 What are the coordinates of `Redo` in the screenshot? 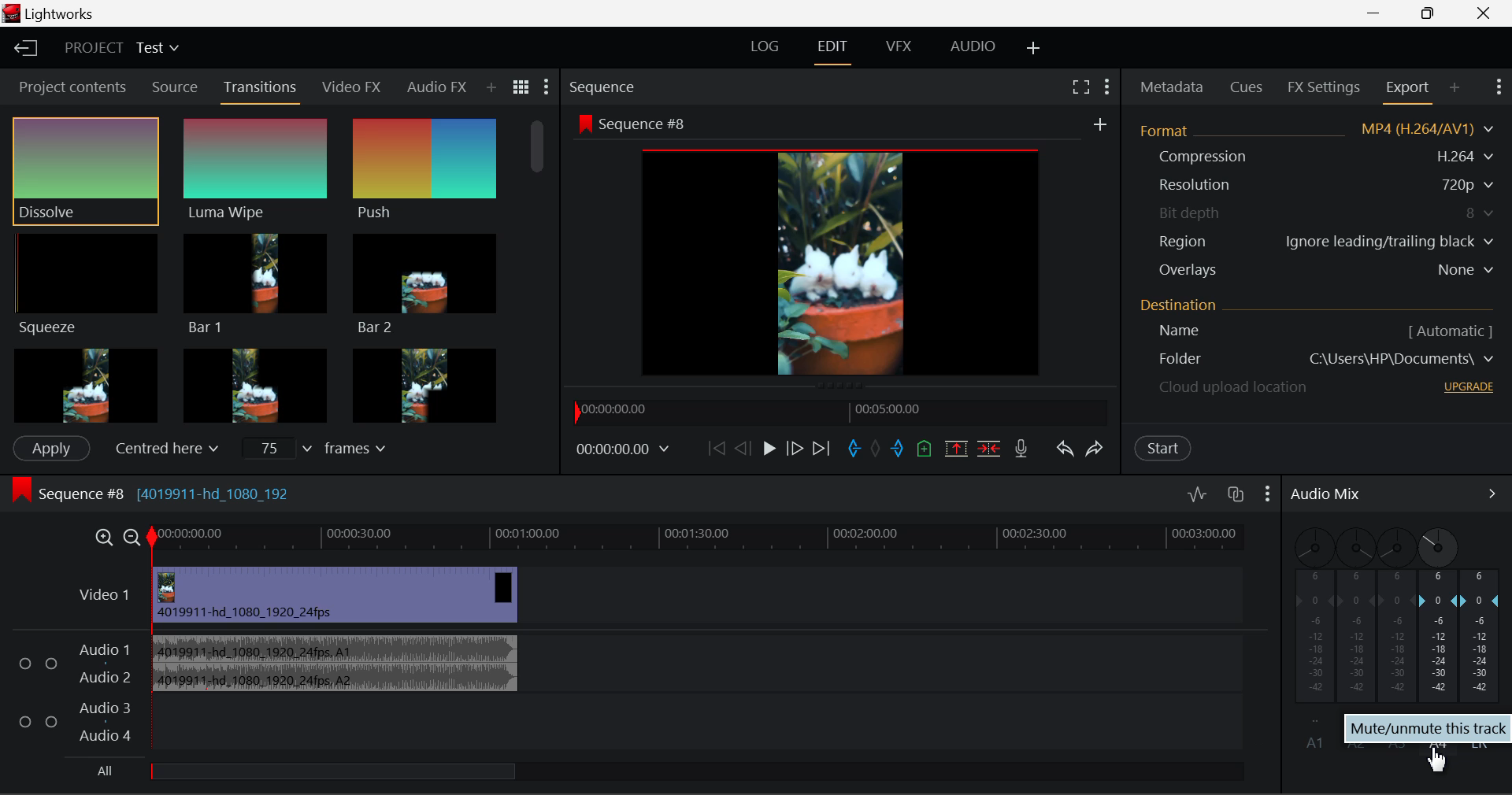 It's located at (1095, 449).